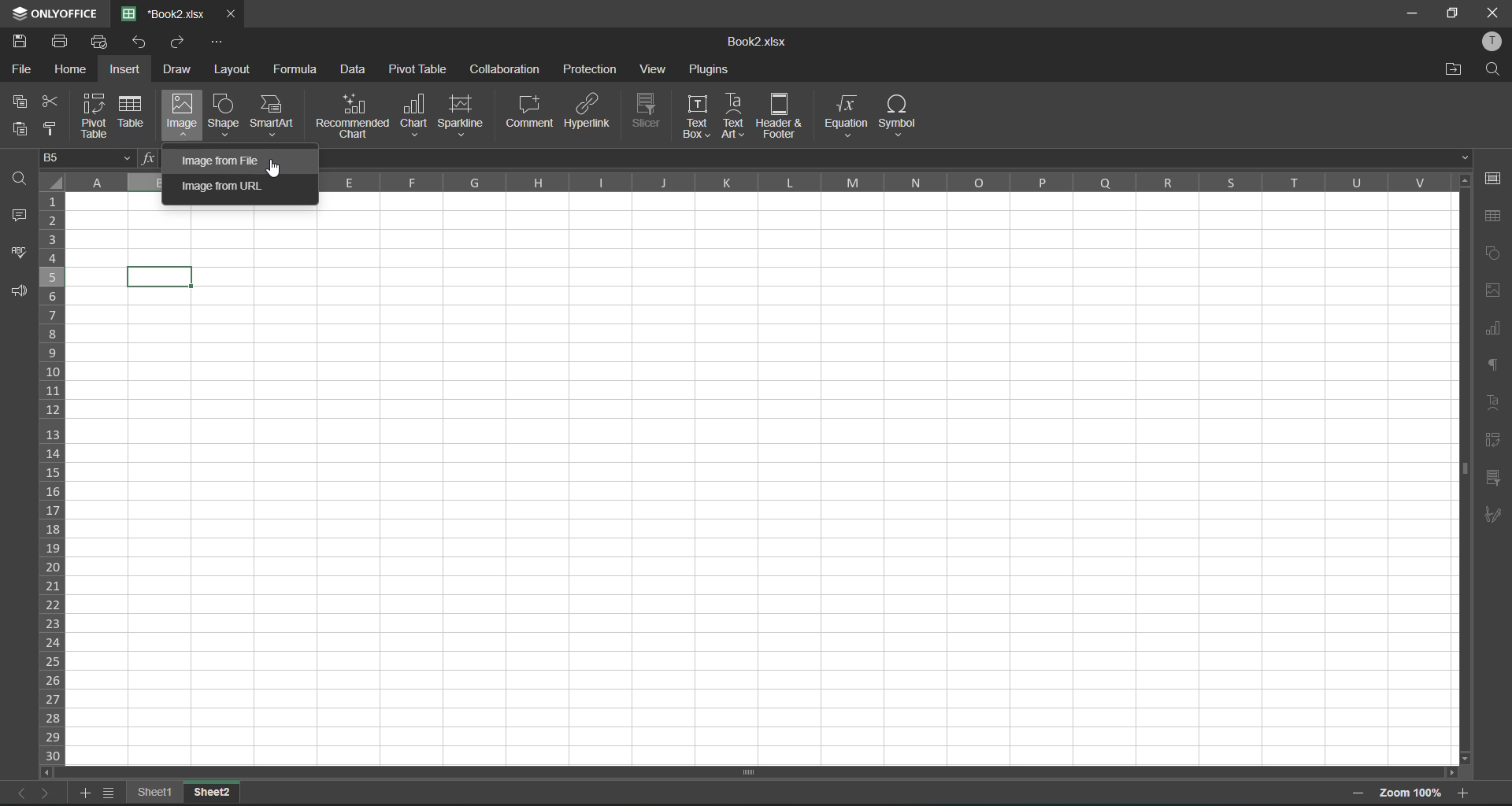 The width and height of the screenshot is (1512, 806). Describe the element at coordinates (1462, 371) in the screenshot. I see `vertical scroll bar` at that location.